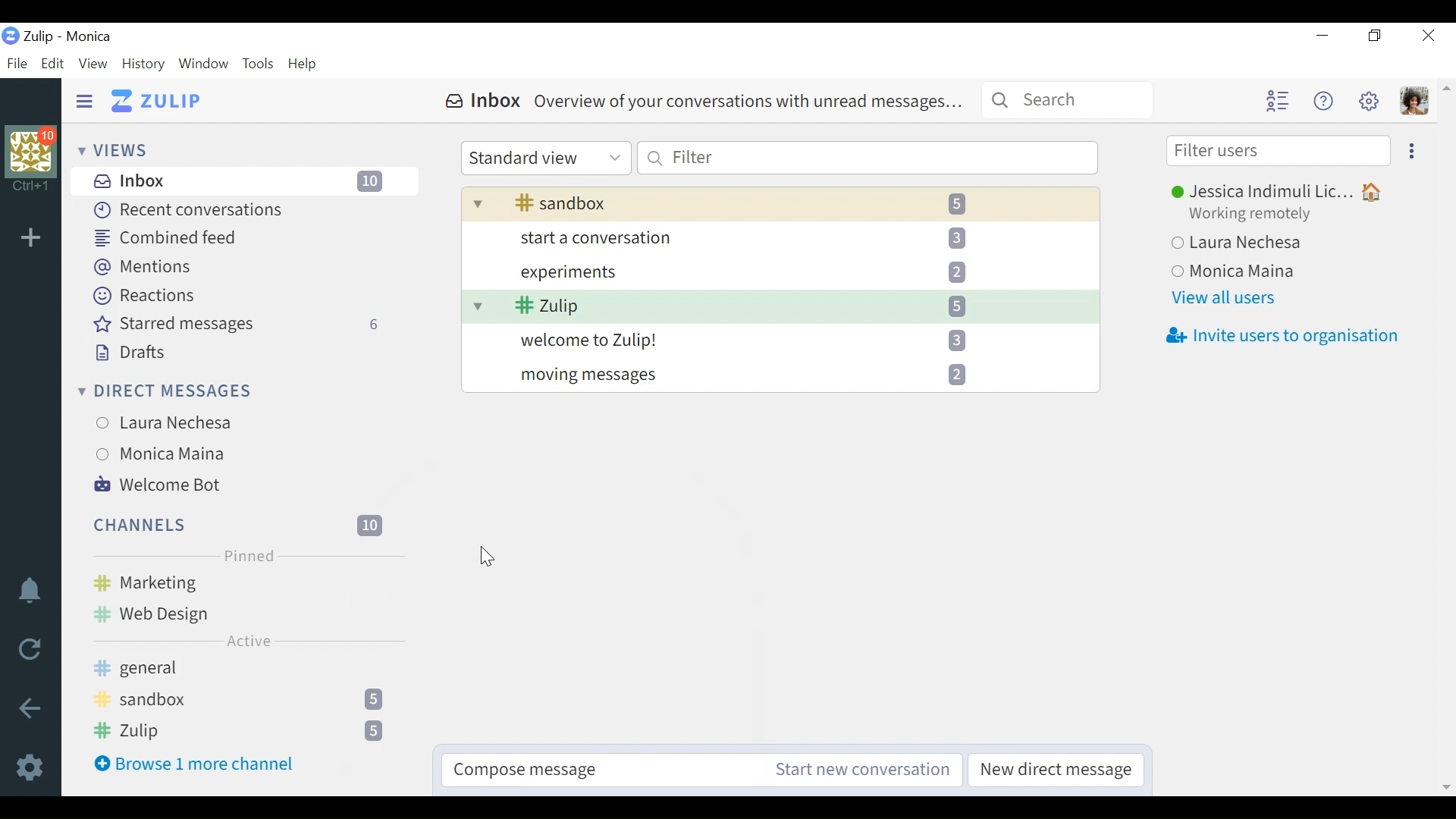  What do you see at coordinates (544, 158) in the screenshot?
I see `Standard View` at bounding box center [544, 158].